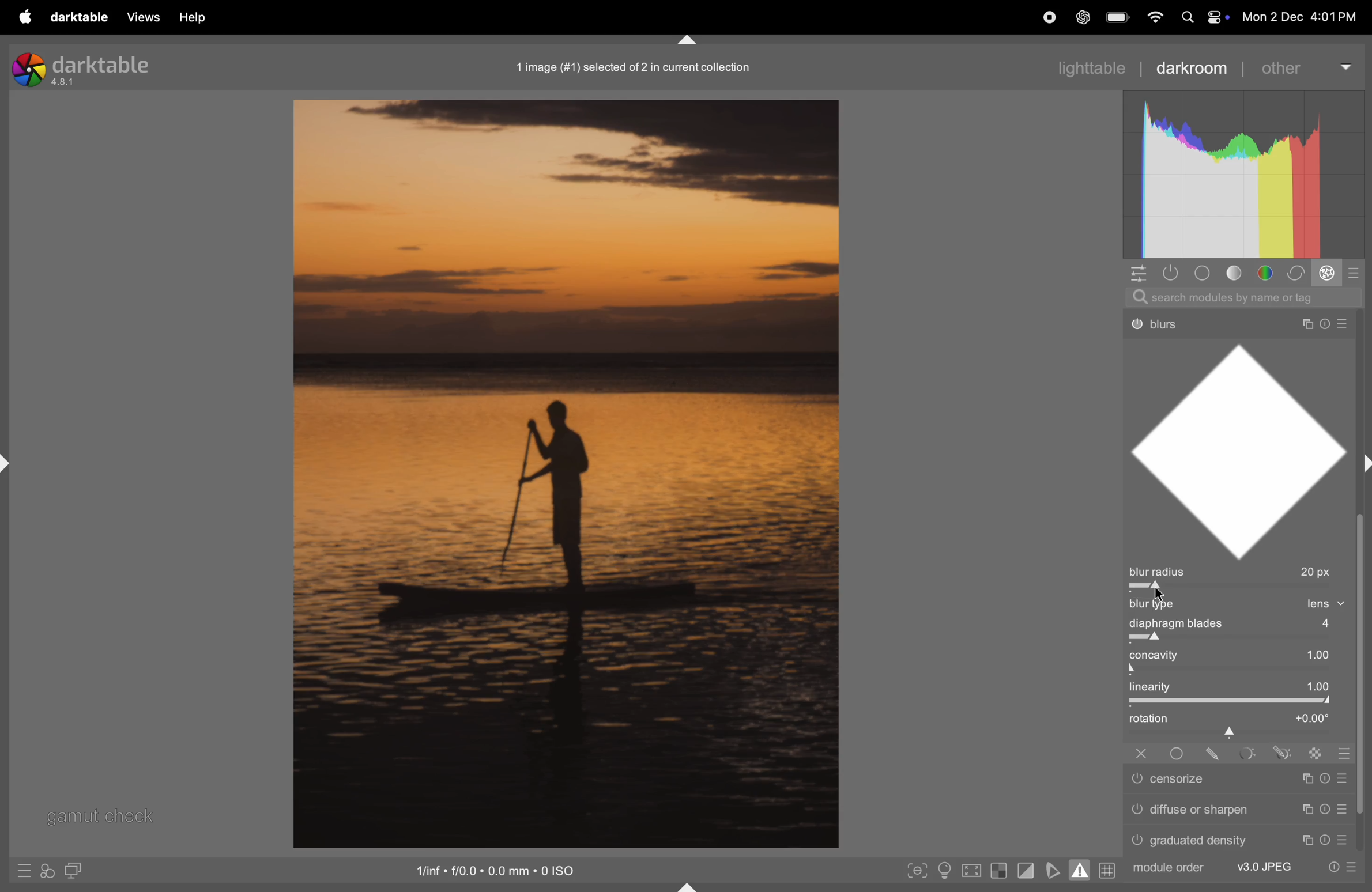  Describe the element at coordinates (943, 872) in the screenshot. I see `toggle iso` at that location.